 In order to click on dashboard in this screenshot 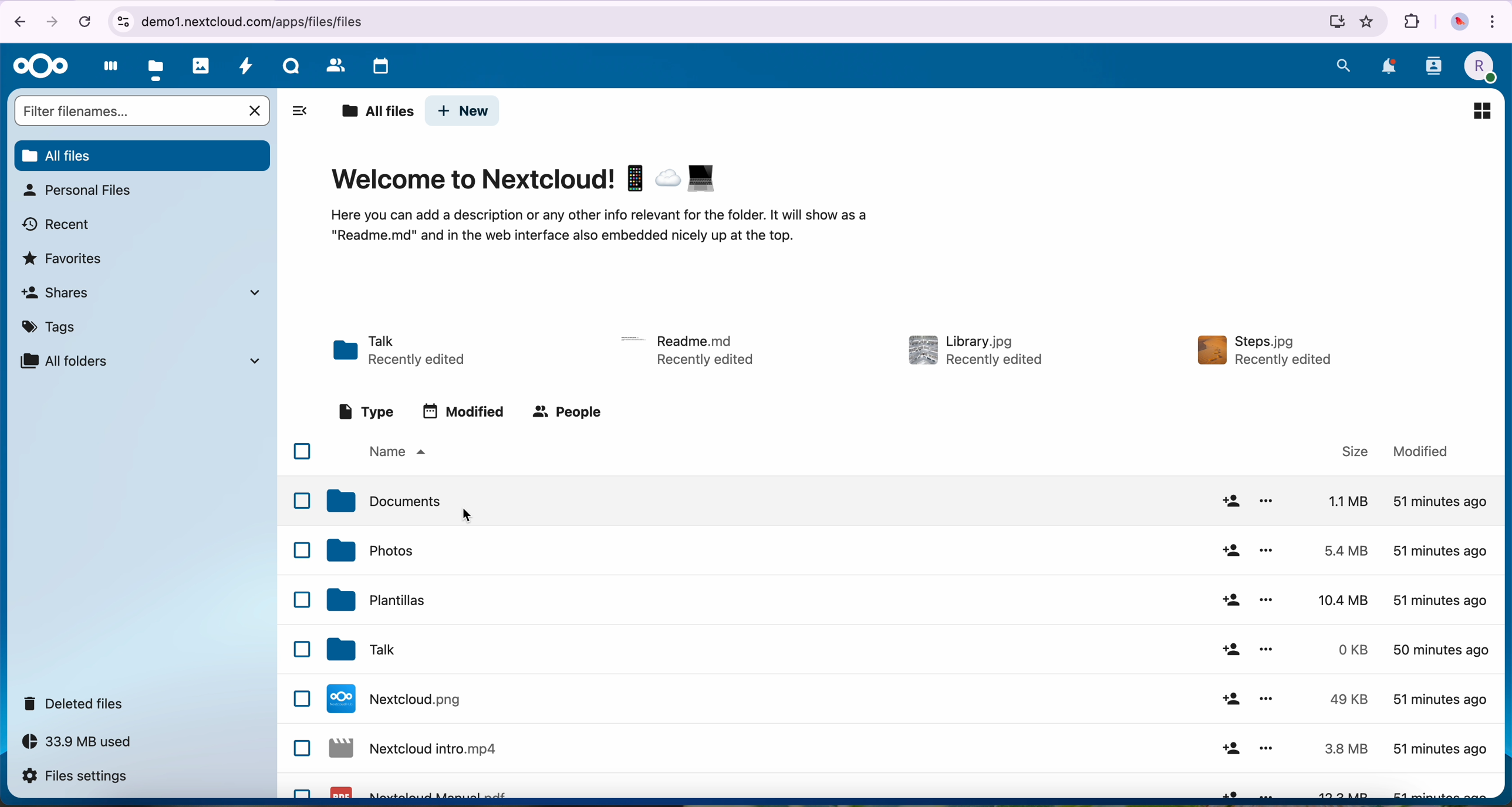, I will do `click(107, 69)`.